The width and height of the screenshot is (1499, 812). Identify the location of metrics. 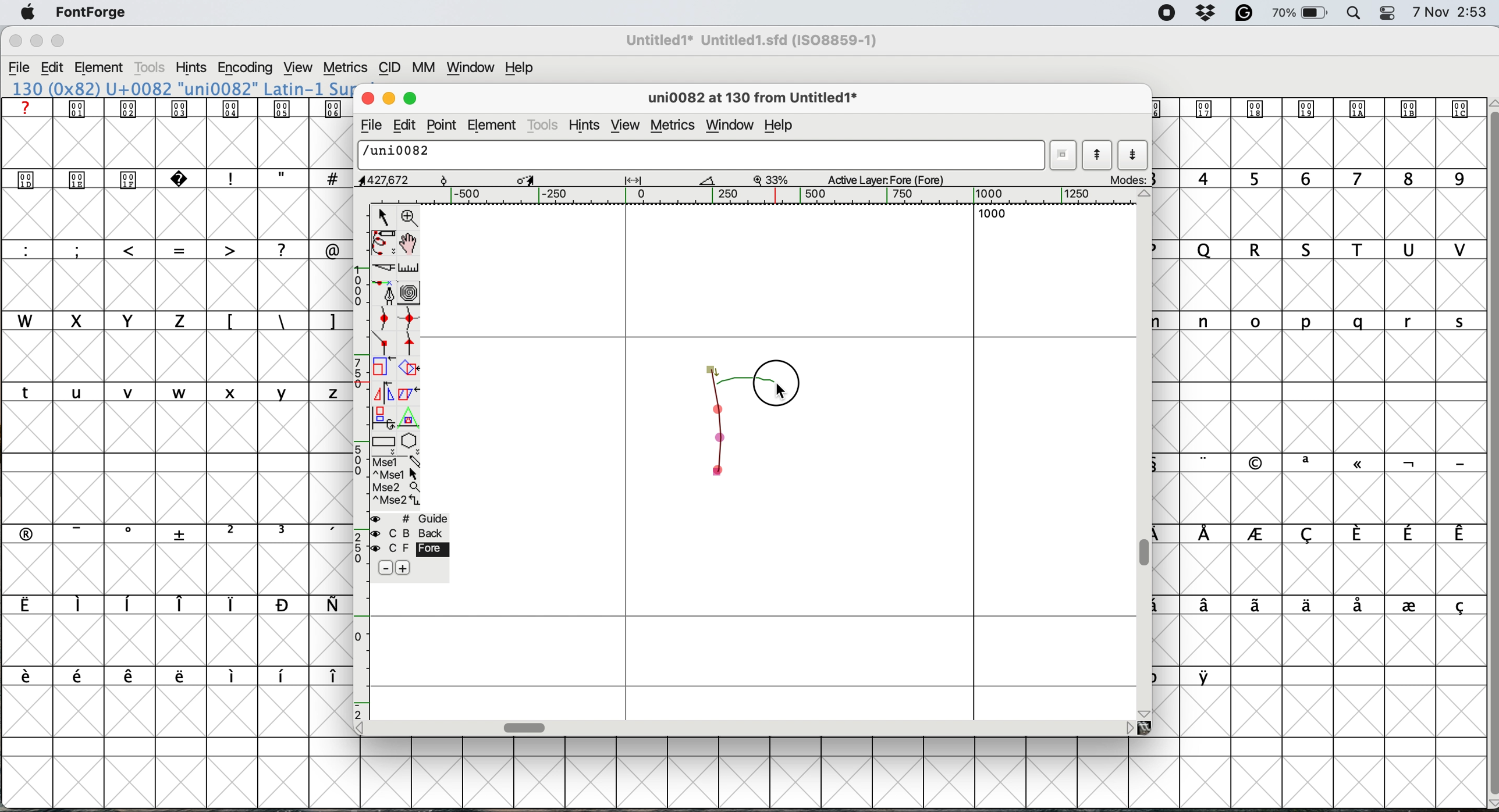
(672, 125).